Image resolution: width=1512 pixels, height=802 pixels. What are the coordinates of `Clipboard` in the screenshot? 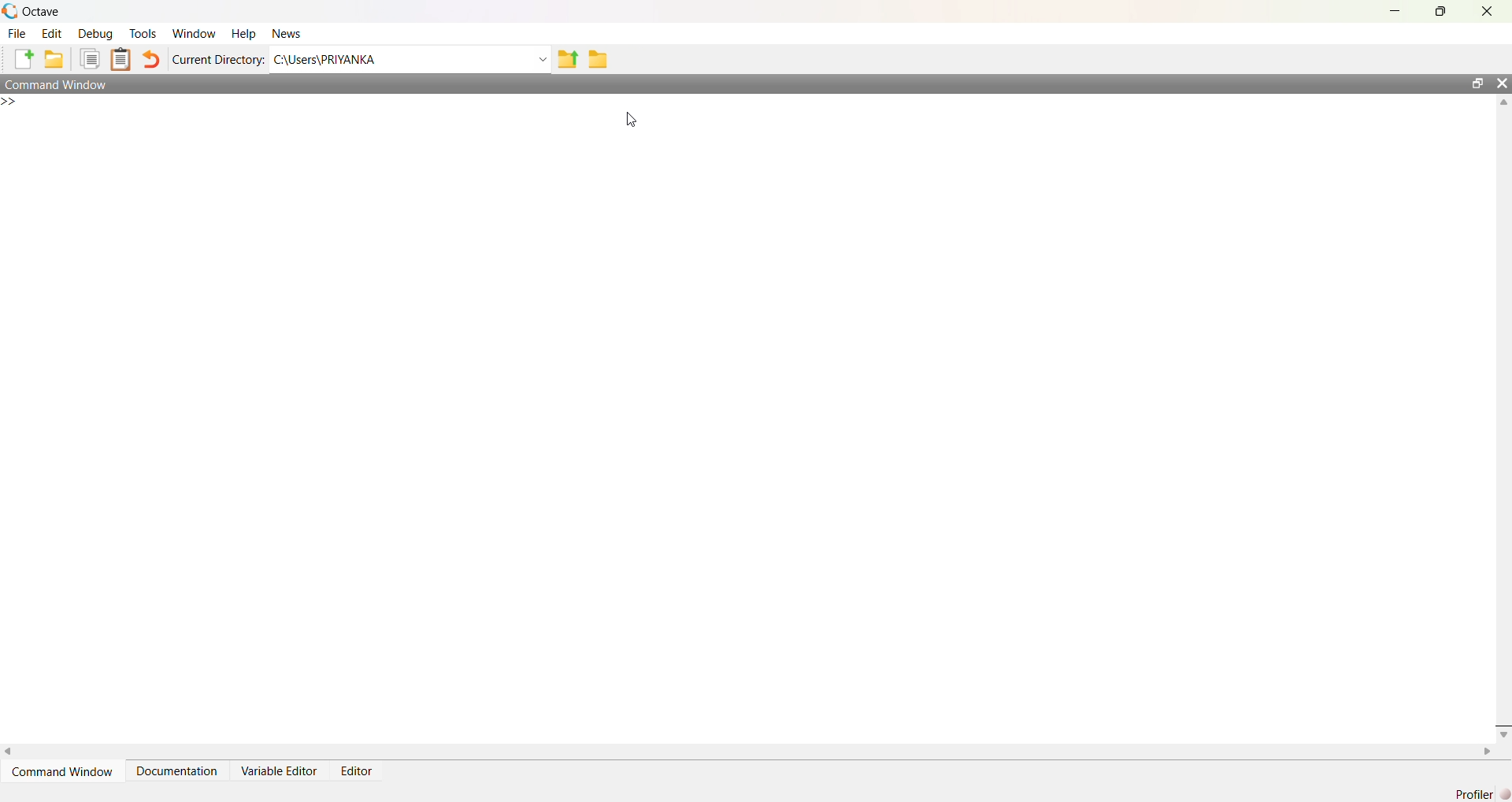 It's located at (121, 59).